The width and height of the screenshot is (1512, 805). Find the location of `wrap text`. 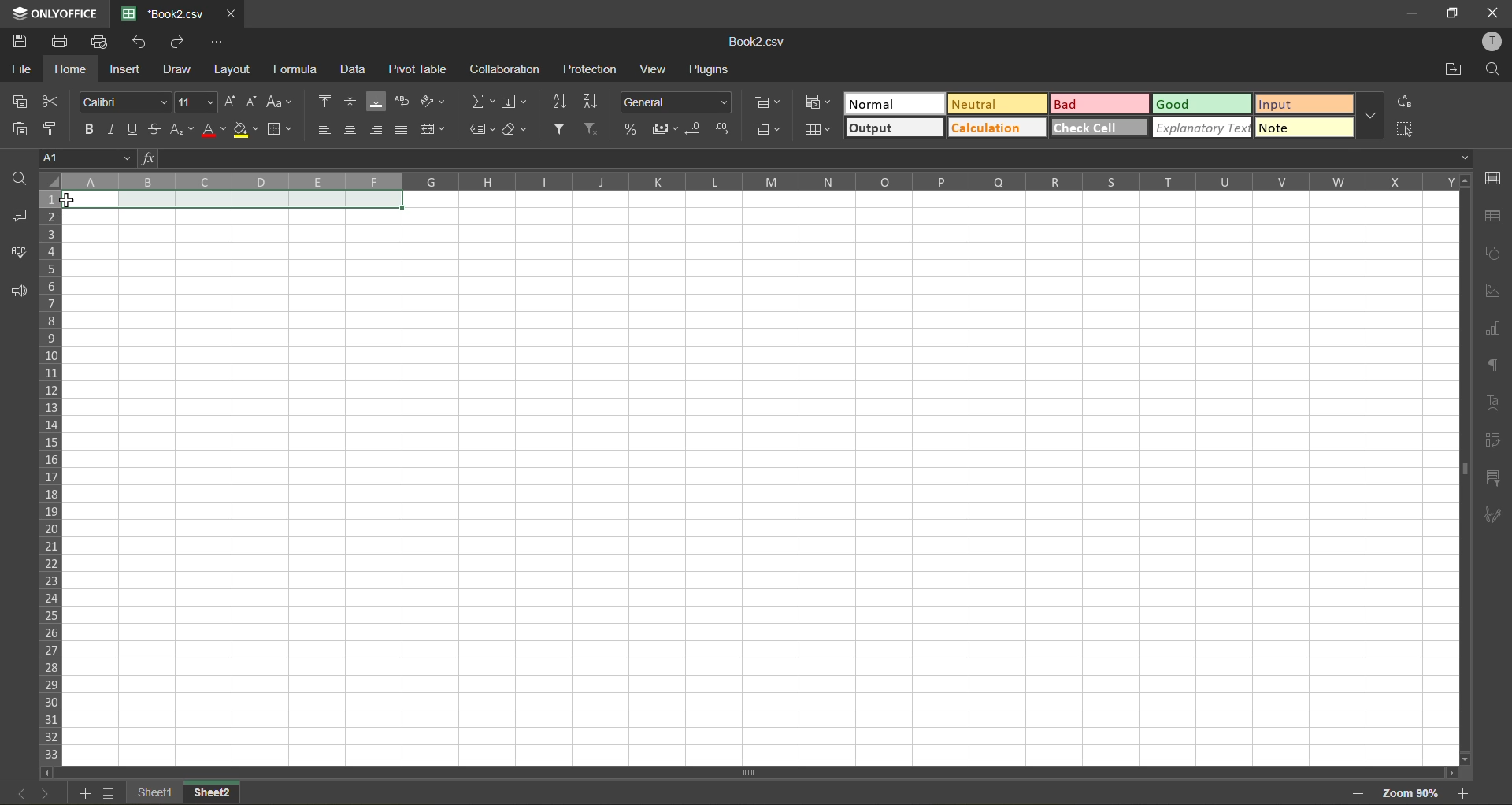

wrap text is located at coordinates (402, 101).